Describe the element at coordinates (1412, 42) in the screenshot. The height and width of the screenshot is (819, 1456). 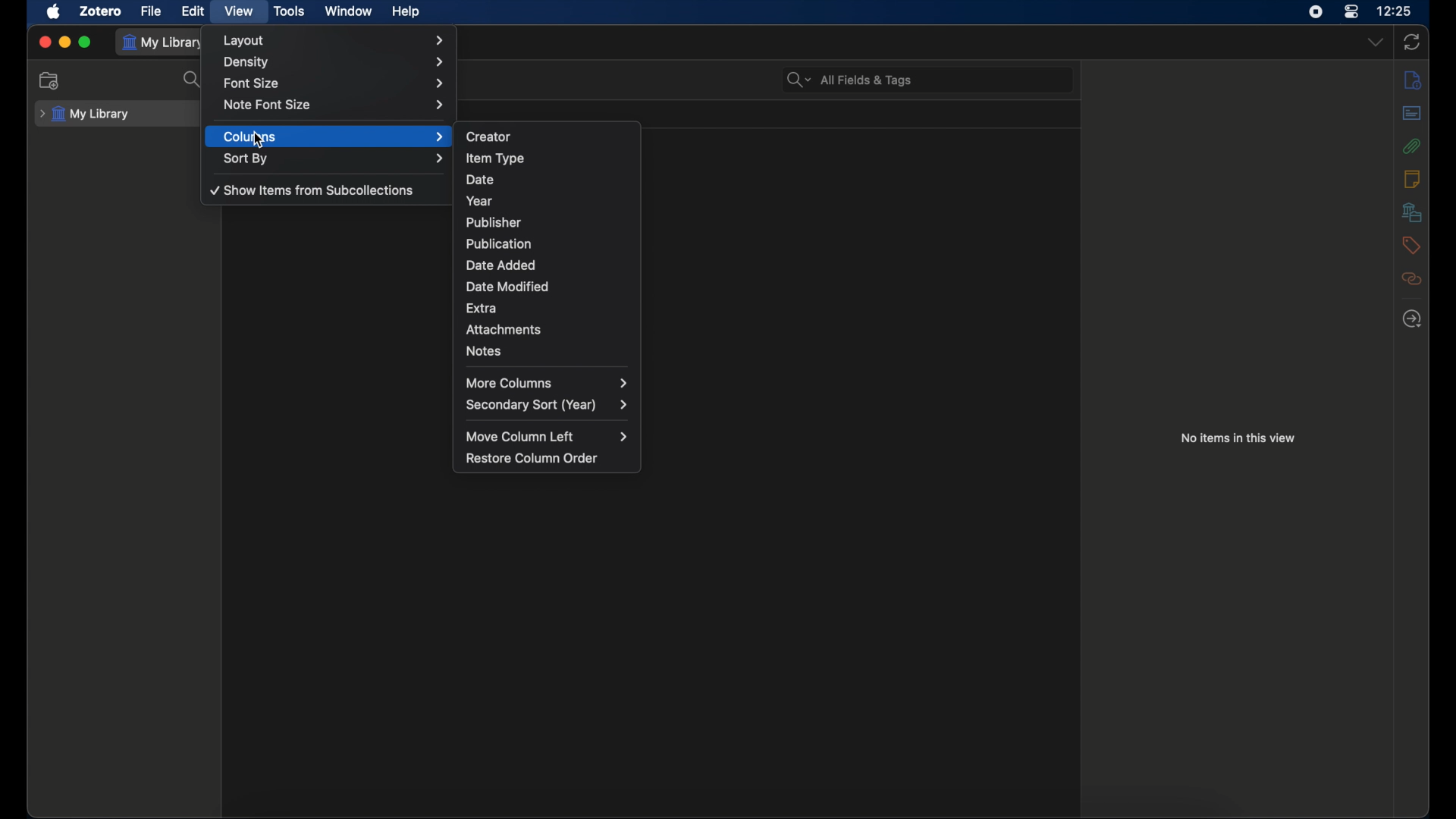
I see `sync` at that location.